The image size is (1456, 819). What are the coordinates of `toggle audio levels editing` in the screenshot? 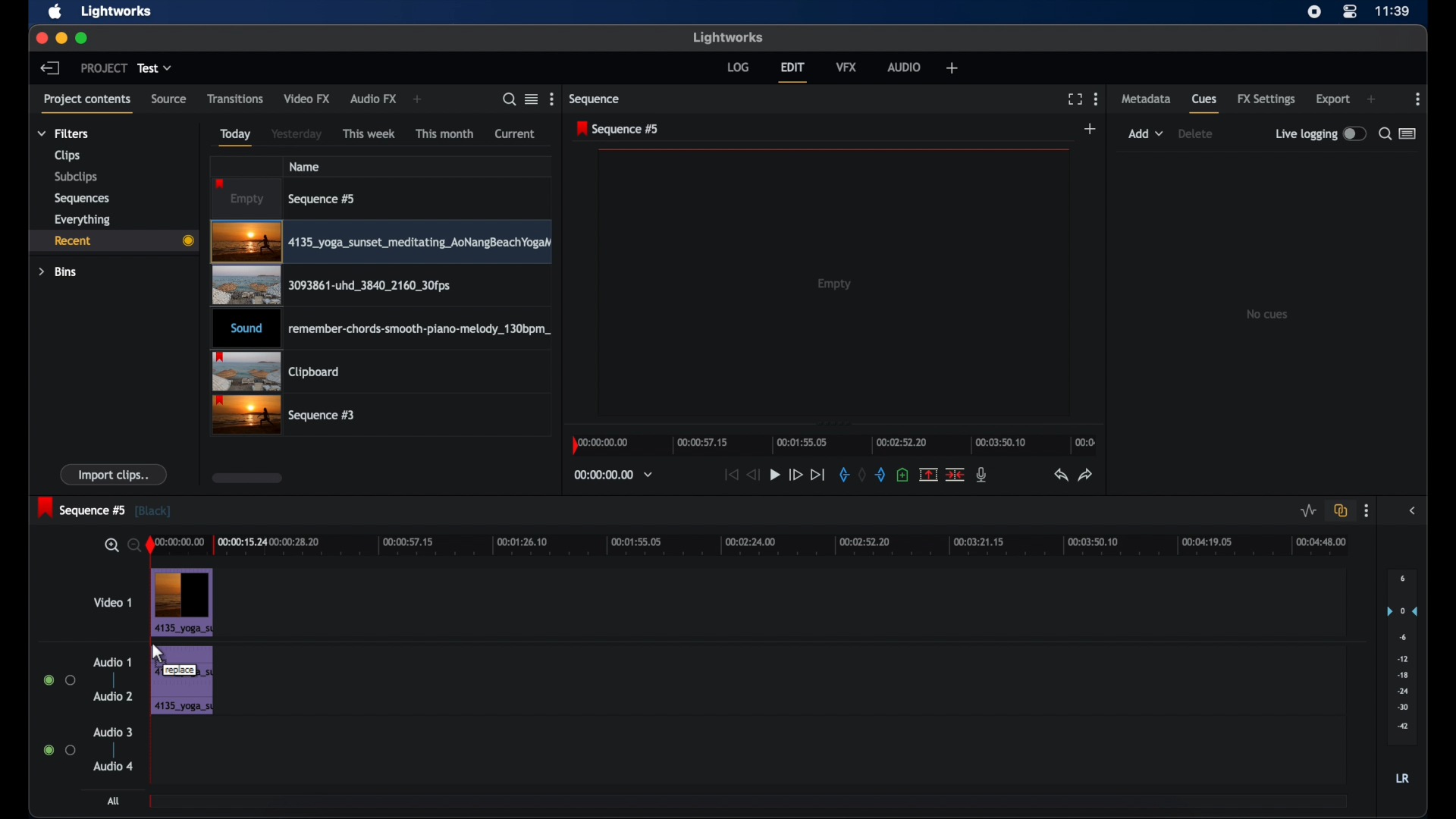 It's located at (1307, 511).